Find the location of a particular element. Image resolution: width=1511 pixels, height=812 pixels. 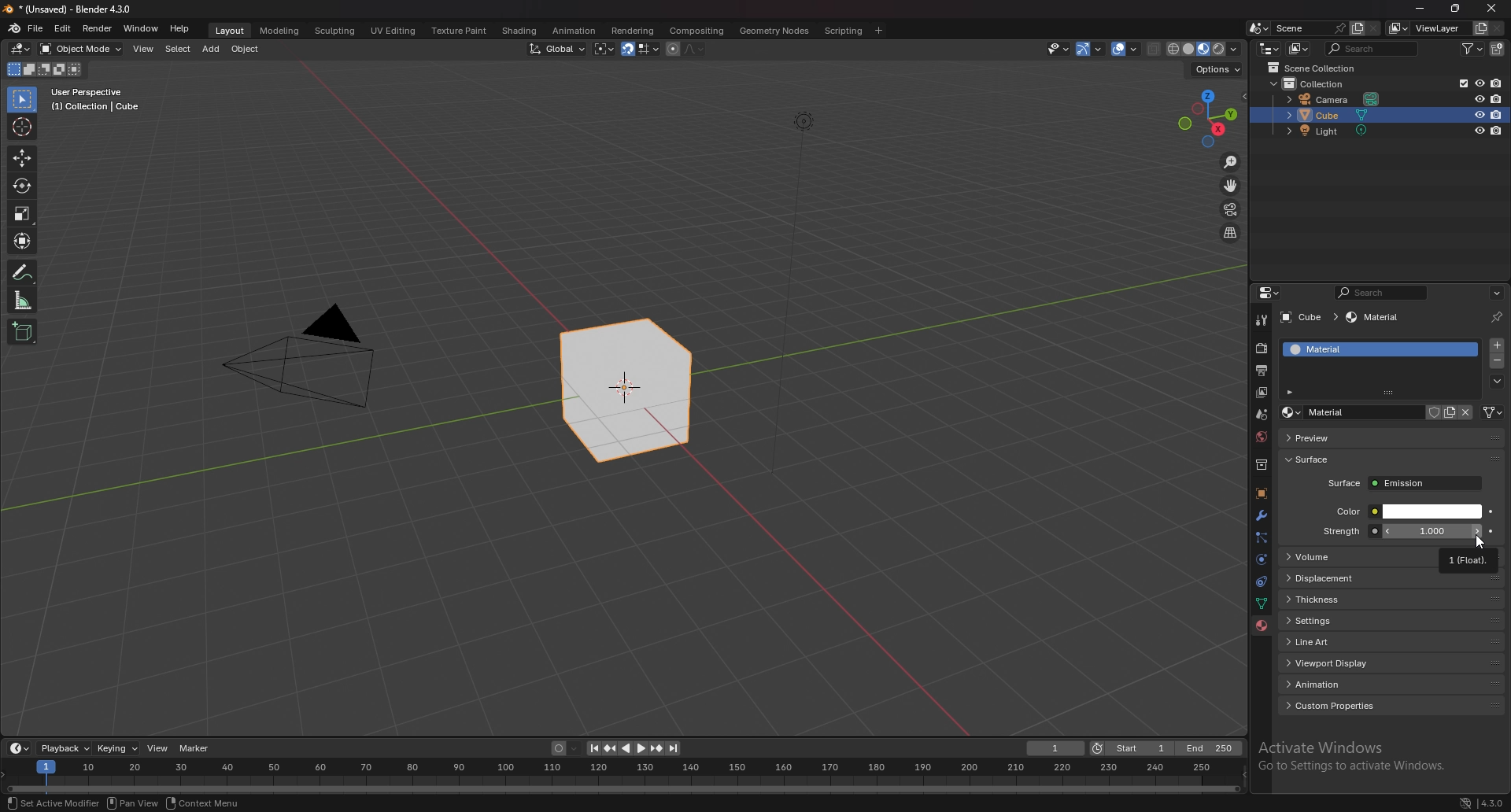

object is located at coordinates (248, 49).